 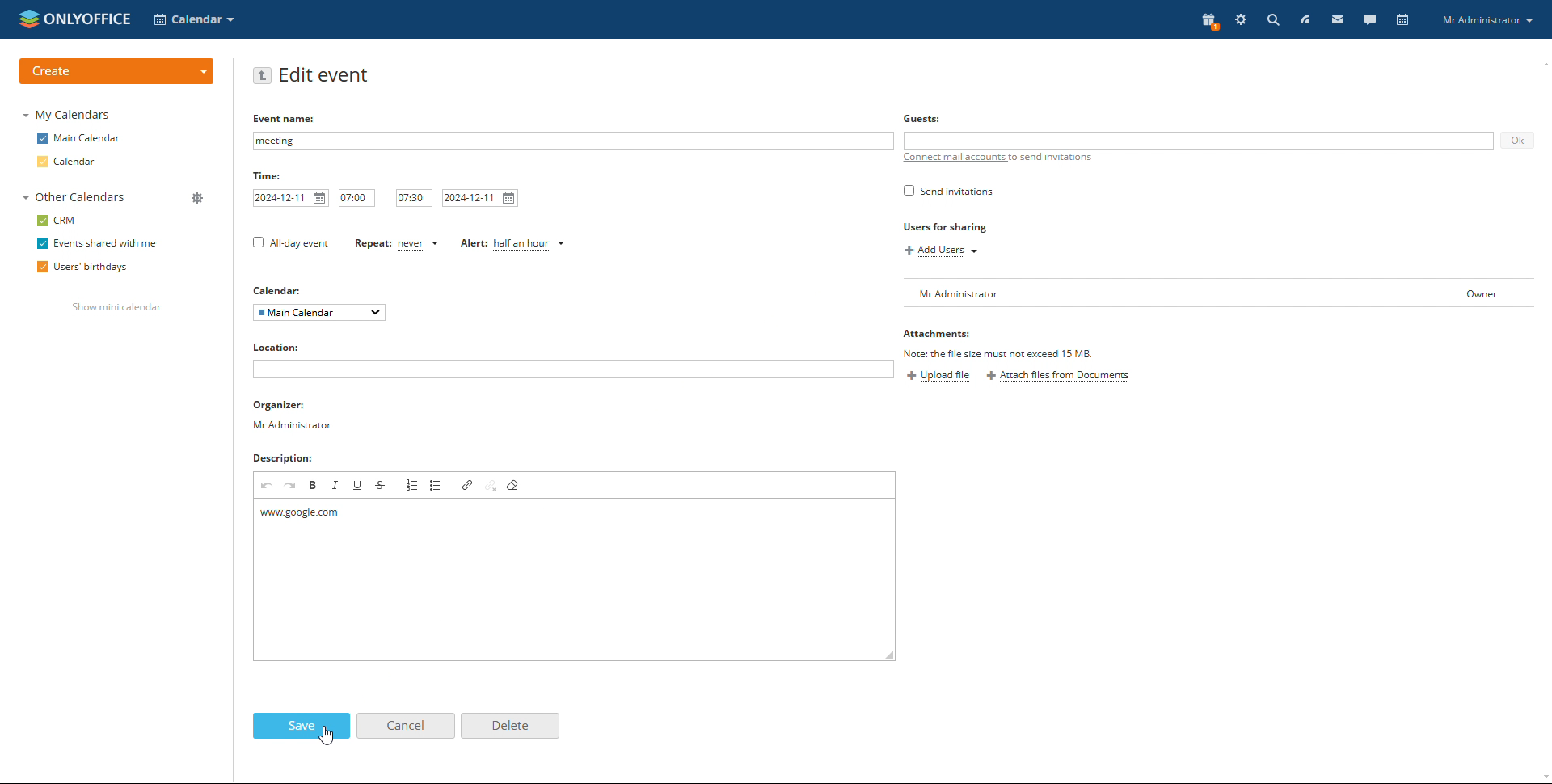 I want to click on logo, so click(x=75, y=19).